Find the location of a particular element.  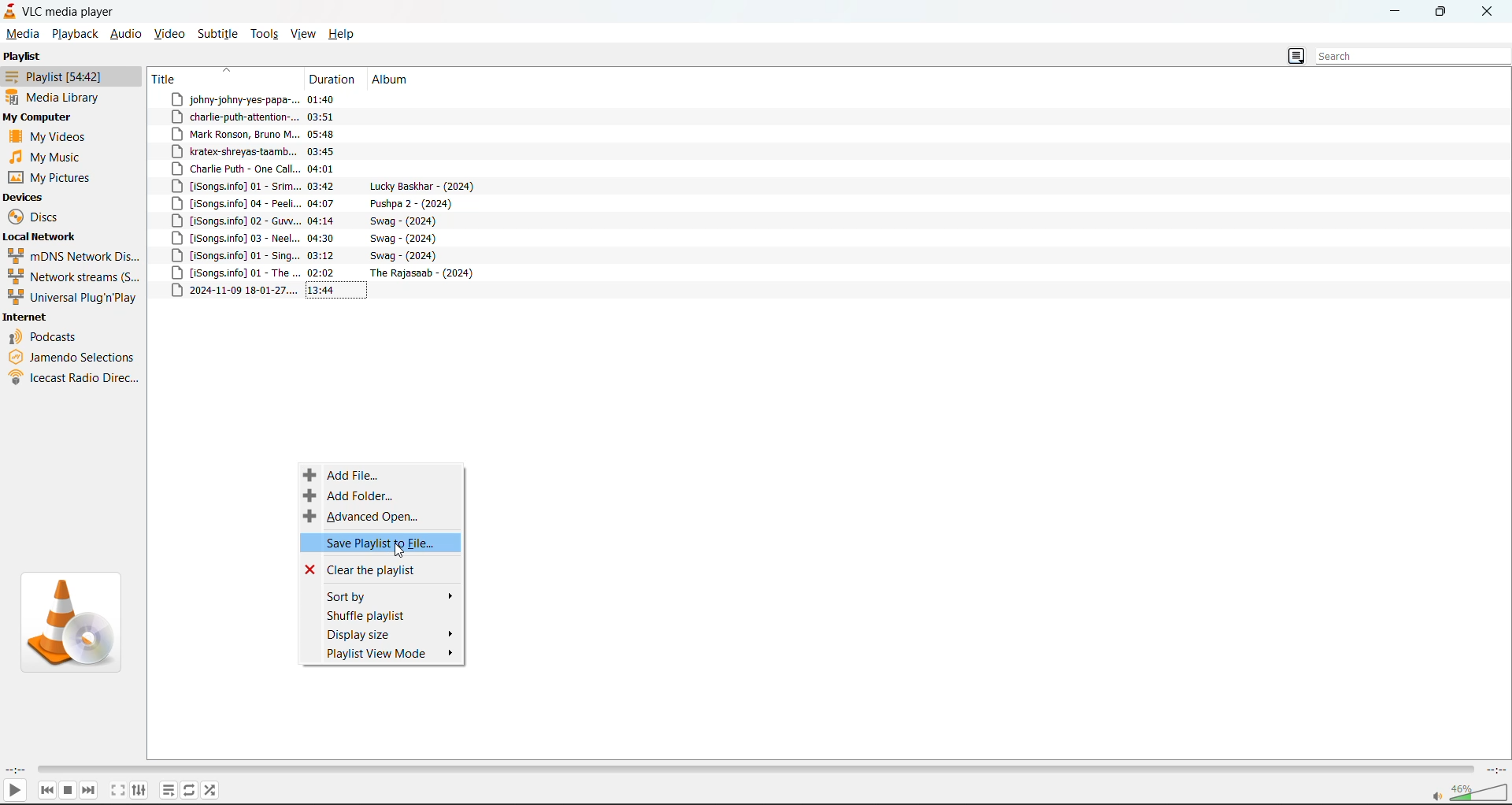

shuffle playlist is located at coordinates (380, 617).